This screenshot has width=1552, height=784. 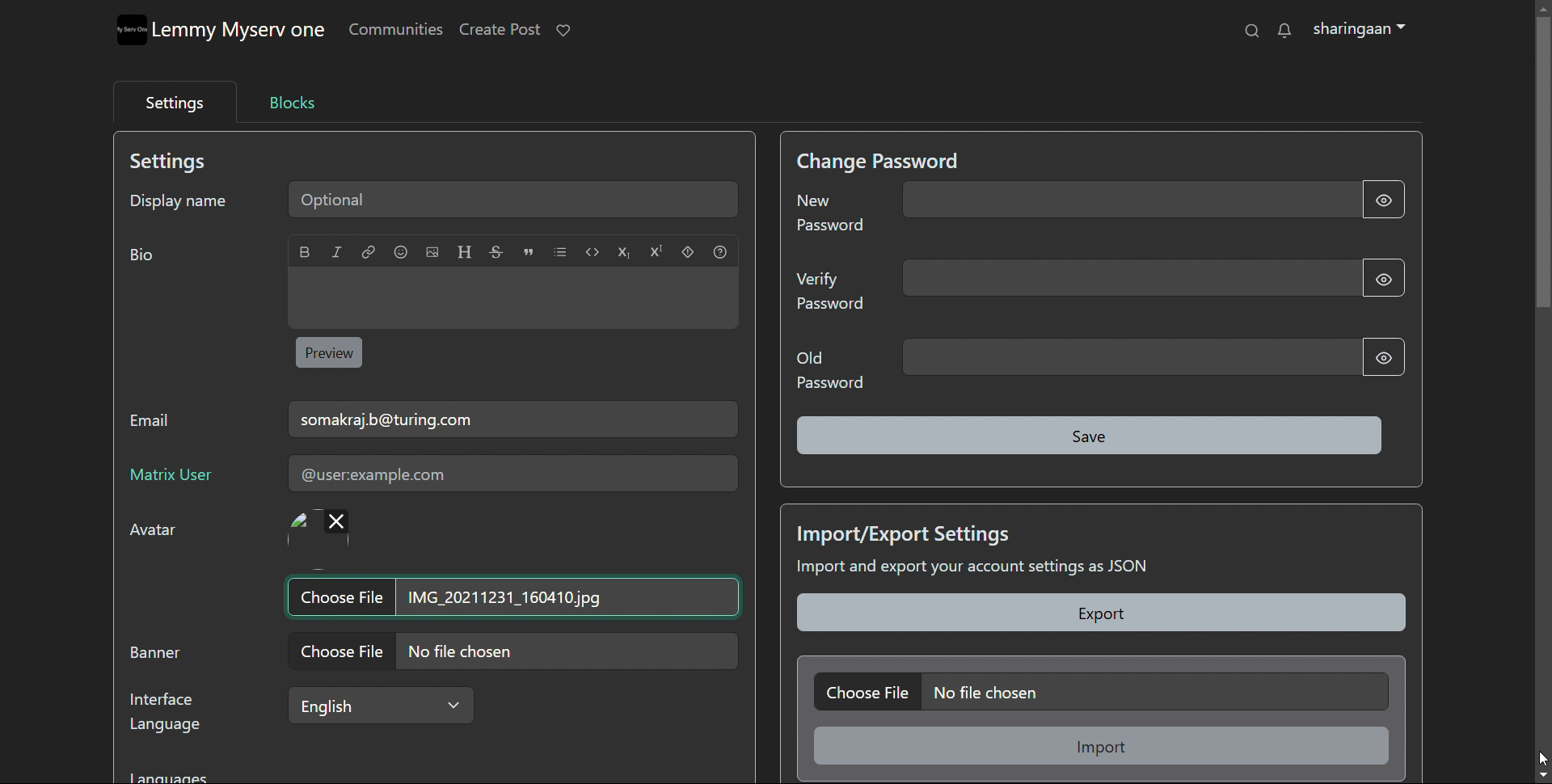 What do you see at coordinates (159, 657) in the screenshot?
I see `Banner` at bounding box center [159, 657].